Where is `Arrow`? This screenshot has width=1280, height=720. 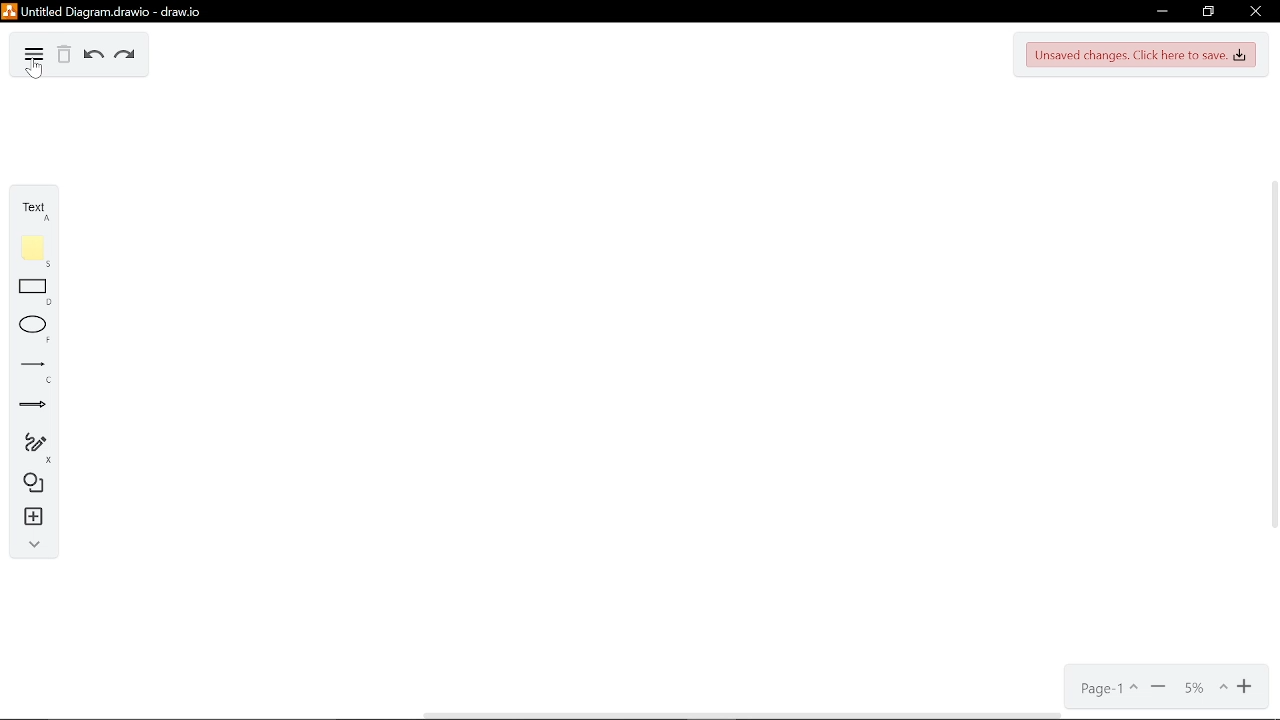 Arrow is located at coordinates (27, 404).